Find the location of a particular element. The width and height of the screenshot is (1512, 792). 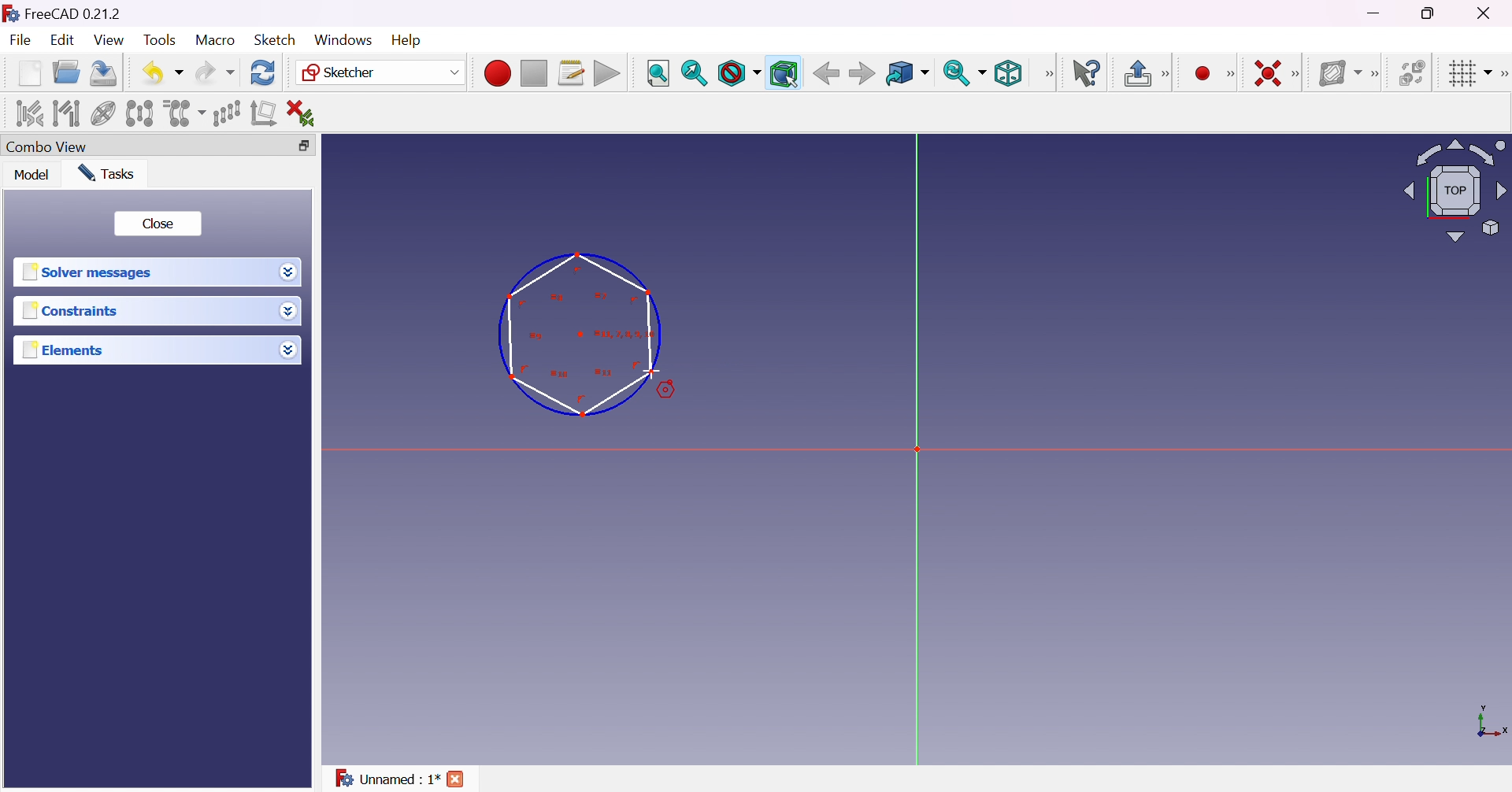

Tools is located at coordinates (162, 41).